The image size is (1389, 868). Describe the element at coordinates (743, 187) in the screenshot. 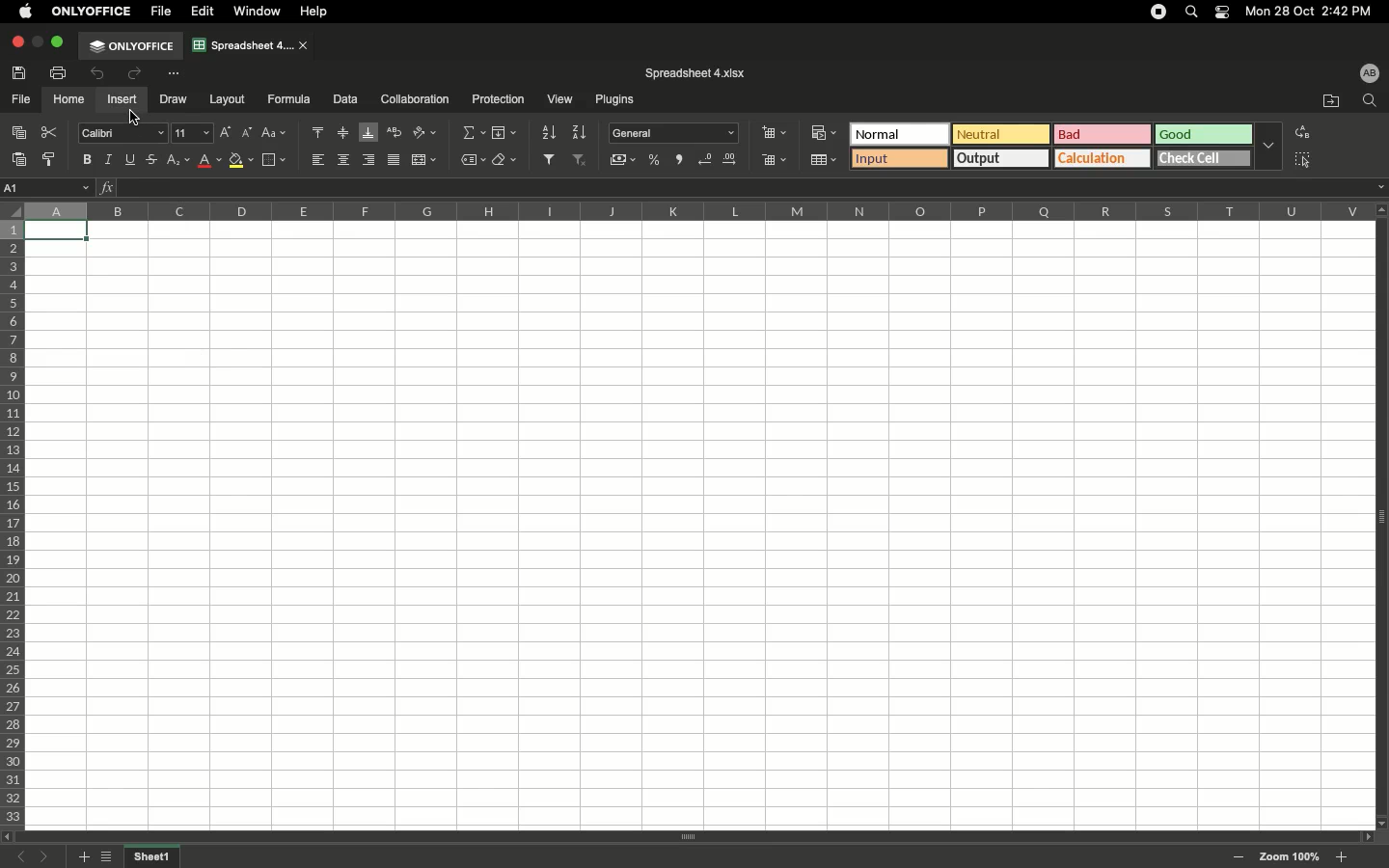

I see `Cell input` at that location.